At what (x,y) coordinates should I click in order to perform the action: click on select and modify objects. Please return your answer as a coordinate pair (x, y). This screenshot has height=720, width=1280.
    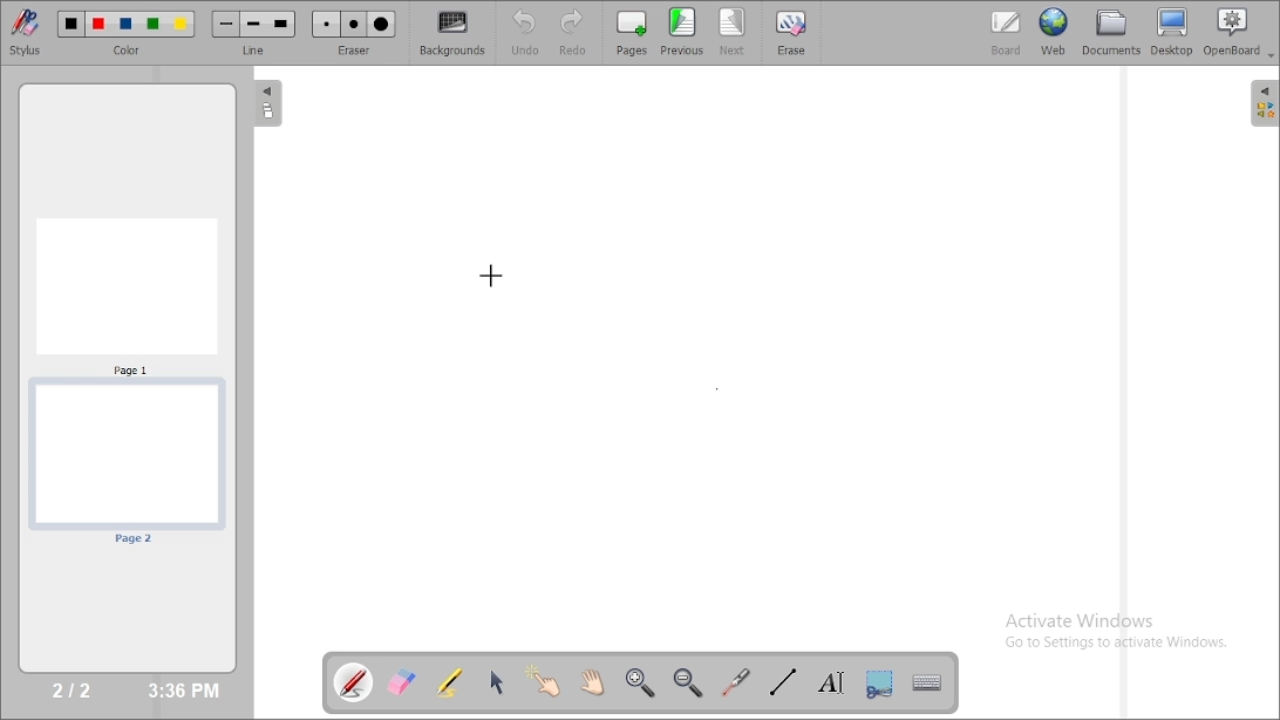
    Looking at the image, I should click on (497, 682).